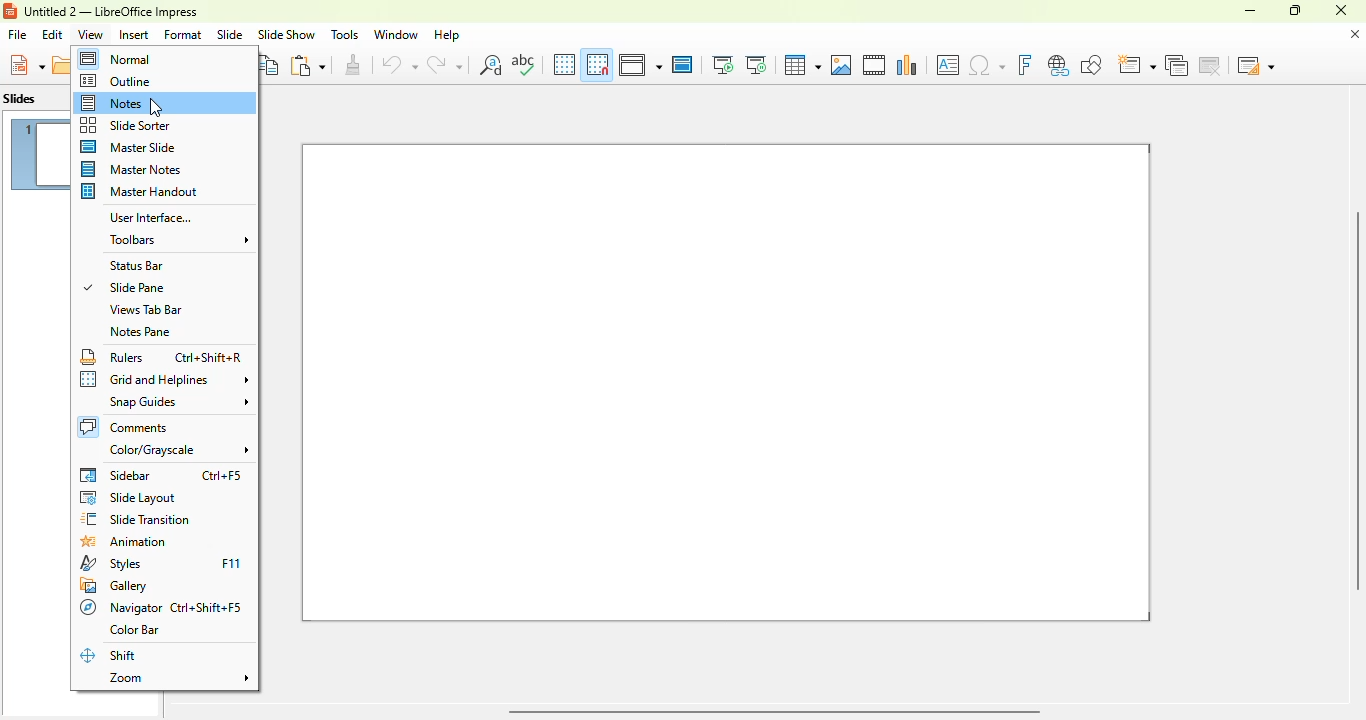 The height and width of the screenshot is (720, 1366). What do you see at coordinates (150, 218) in the screenshot?
I see `user interface` at bounding box center [150, 218].